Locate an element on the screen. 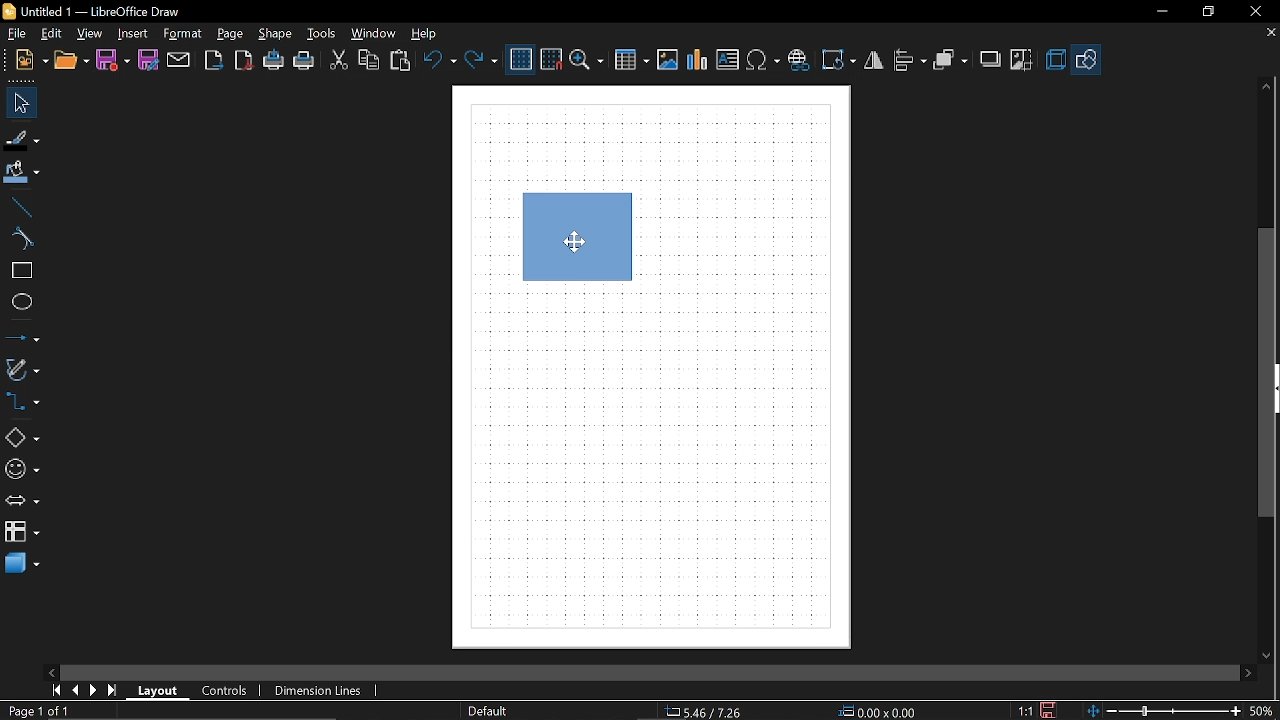 The height and width of the screenshot is (720, 1280). 3d shapes is located at coordinates (21, 565).